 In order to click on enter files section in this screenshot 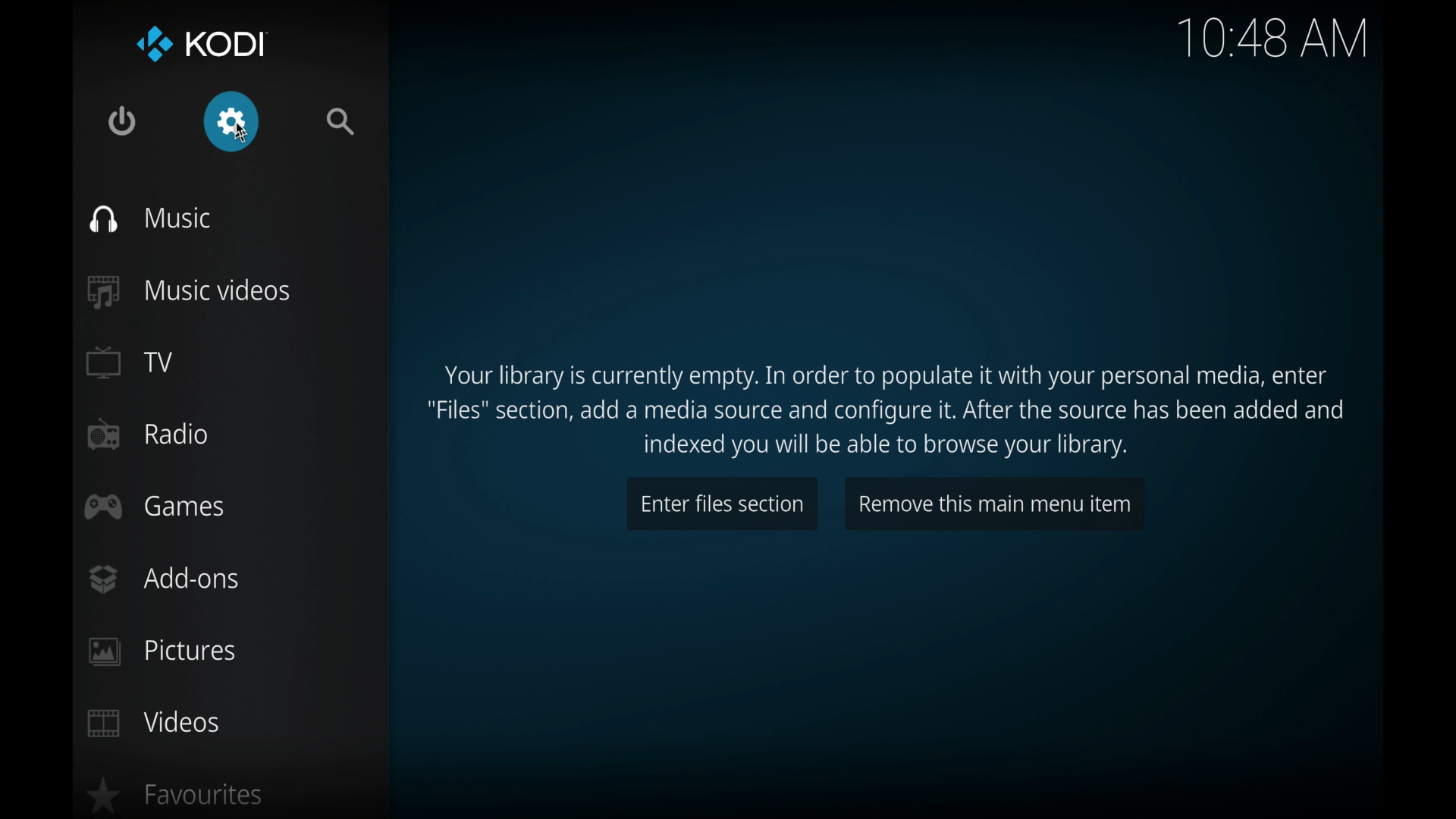, I will do `click(722, 503)`.